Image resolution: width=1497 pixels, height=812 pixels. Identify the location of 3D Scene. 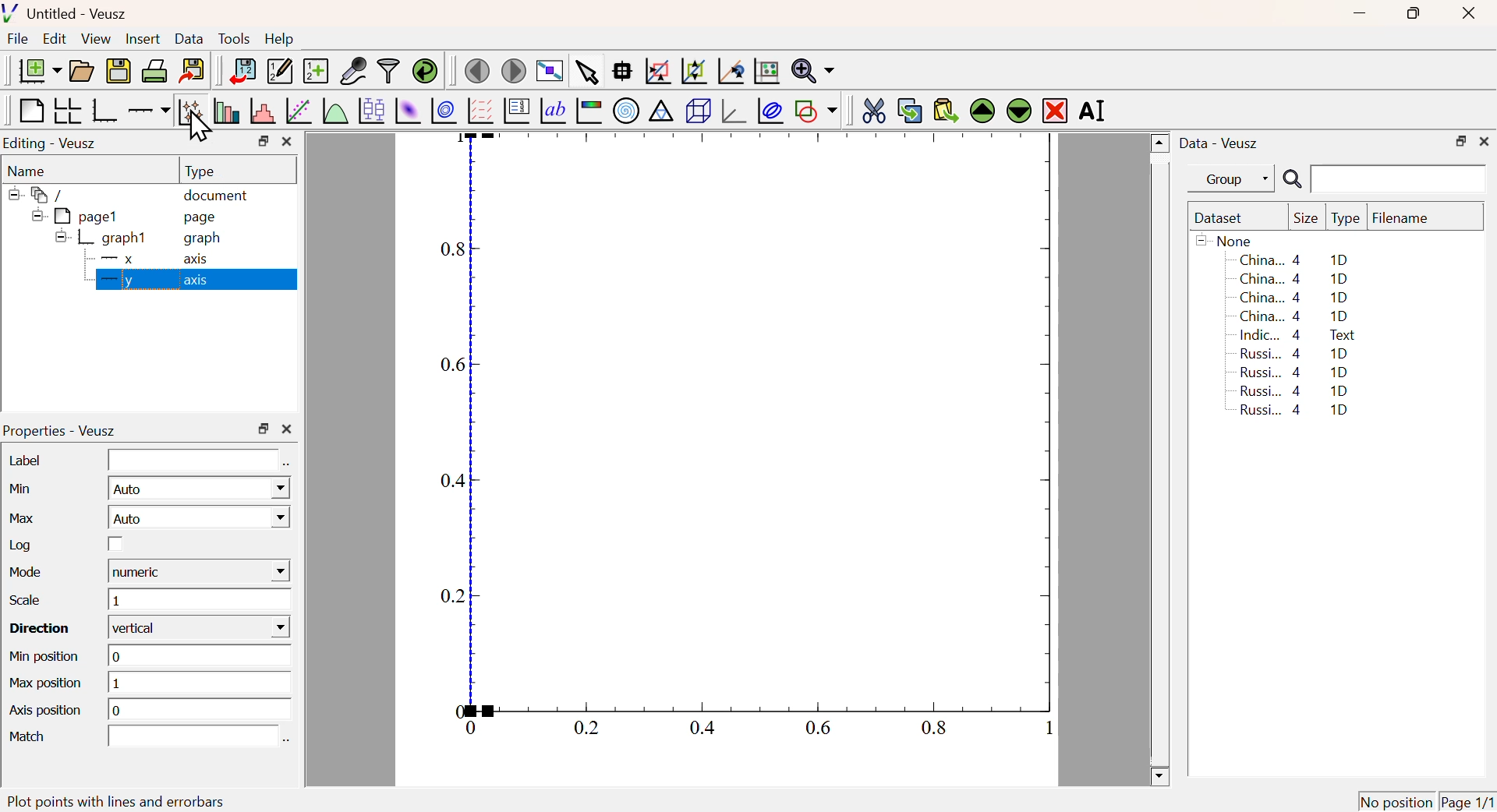
(698, 111).